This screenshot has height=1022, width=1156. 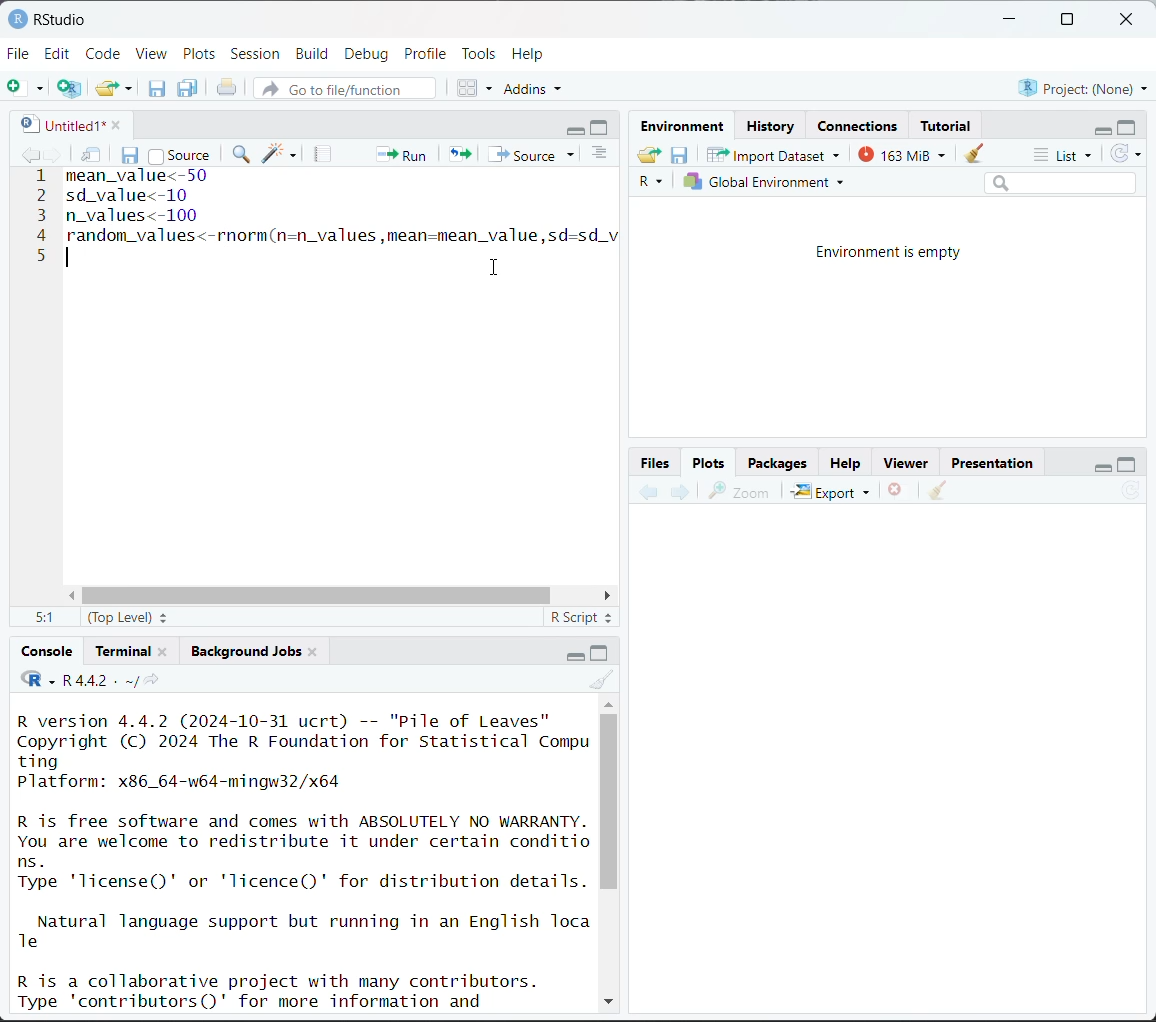 What do you see at coordinates (1082, 86) in the screenshot?
I see `Project:(None)` at bounding box center [1082, 86].